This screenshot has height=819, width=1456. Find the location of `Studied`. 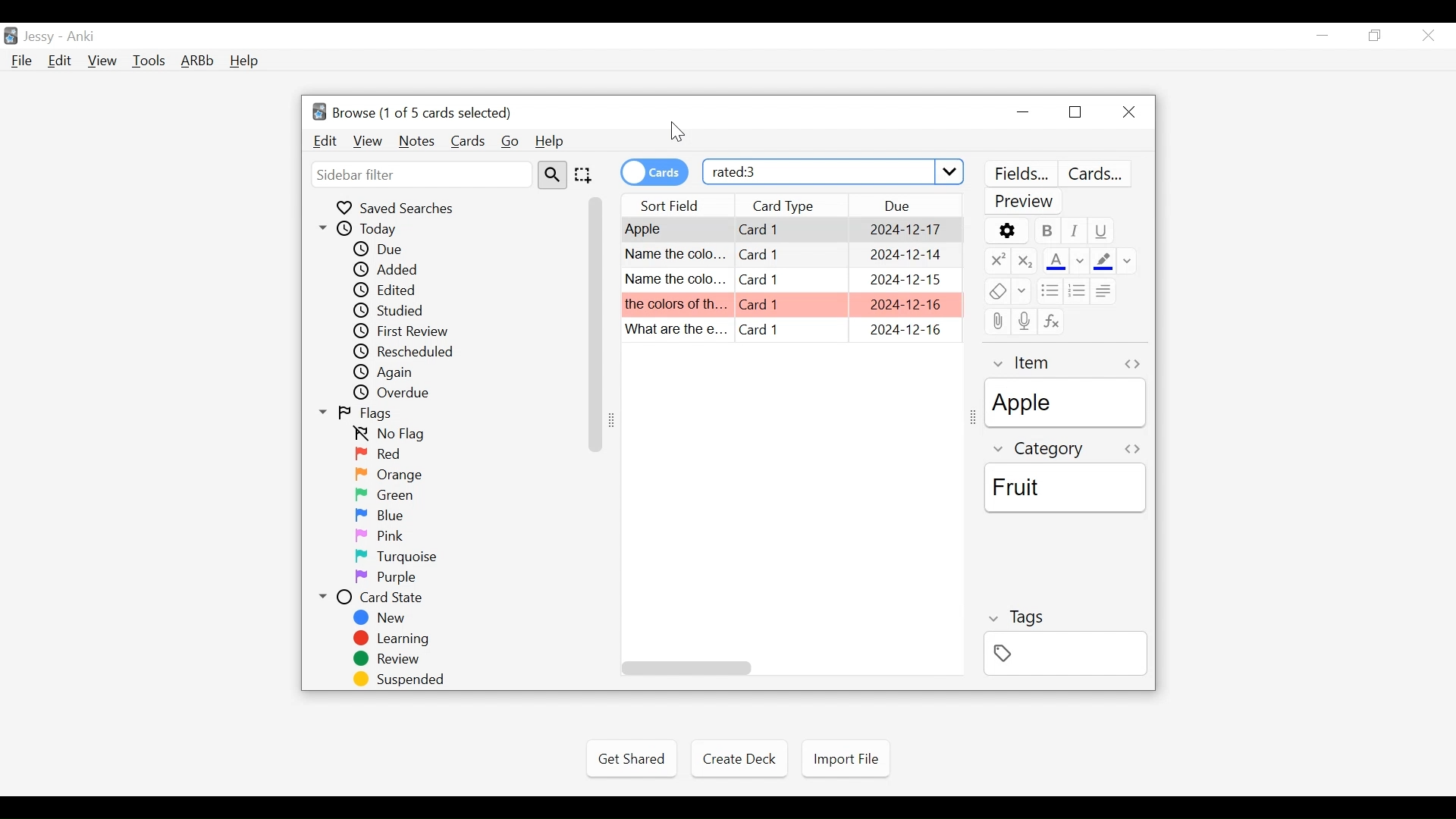

Studied is located at coordinates (398, 310).